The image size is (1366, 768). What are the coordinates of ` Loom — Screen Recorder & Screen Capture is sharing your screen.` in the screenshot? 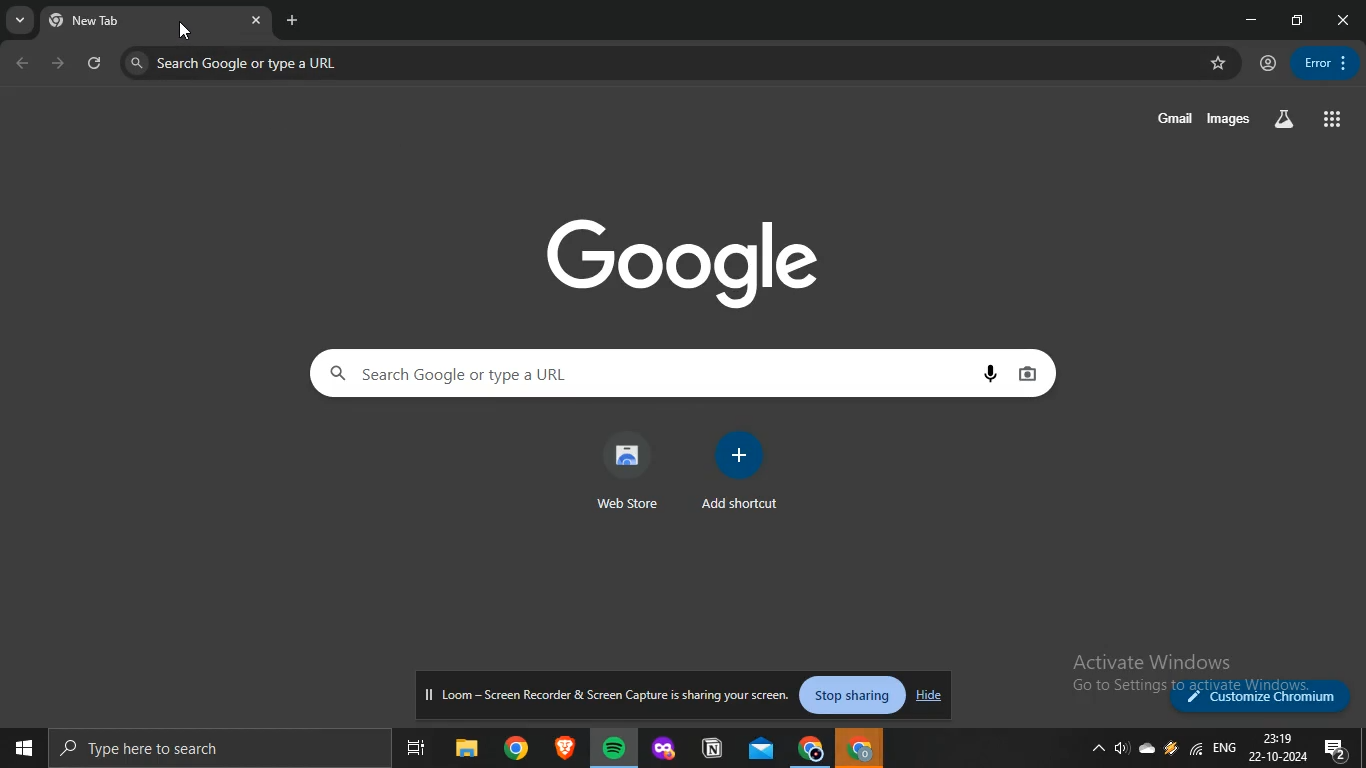 It's located at (609, 696).